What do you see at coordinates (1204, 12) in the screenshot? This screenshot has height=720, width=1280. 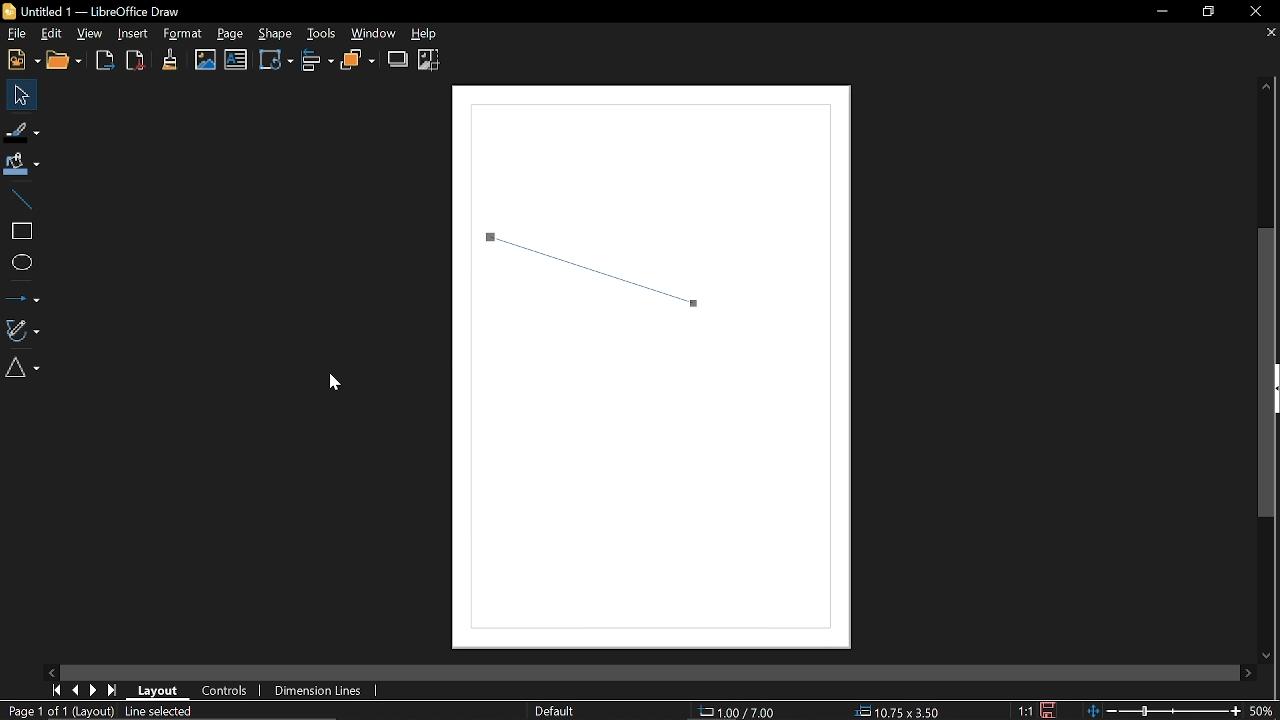 I see `Restore down` at bounding box center [1204, 12].